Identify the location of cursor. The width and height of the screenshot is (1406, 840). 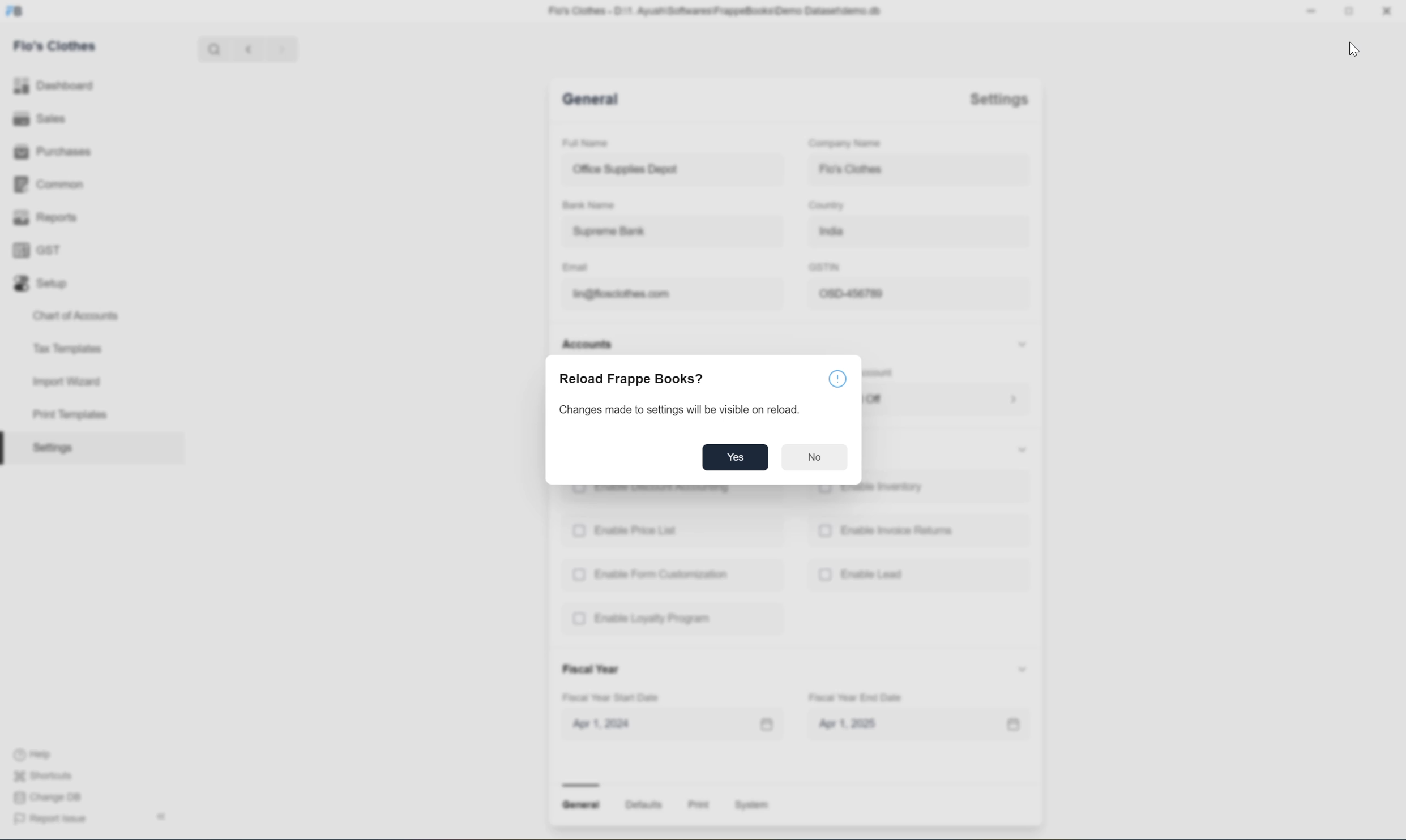
(1353, 49).